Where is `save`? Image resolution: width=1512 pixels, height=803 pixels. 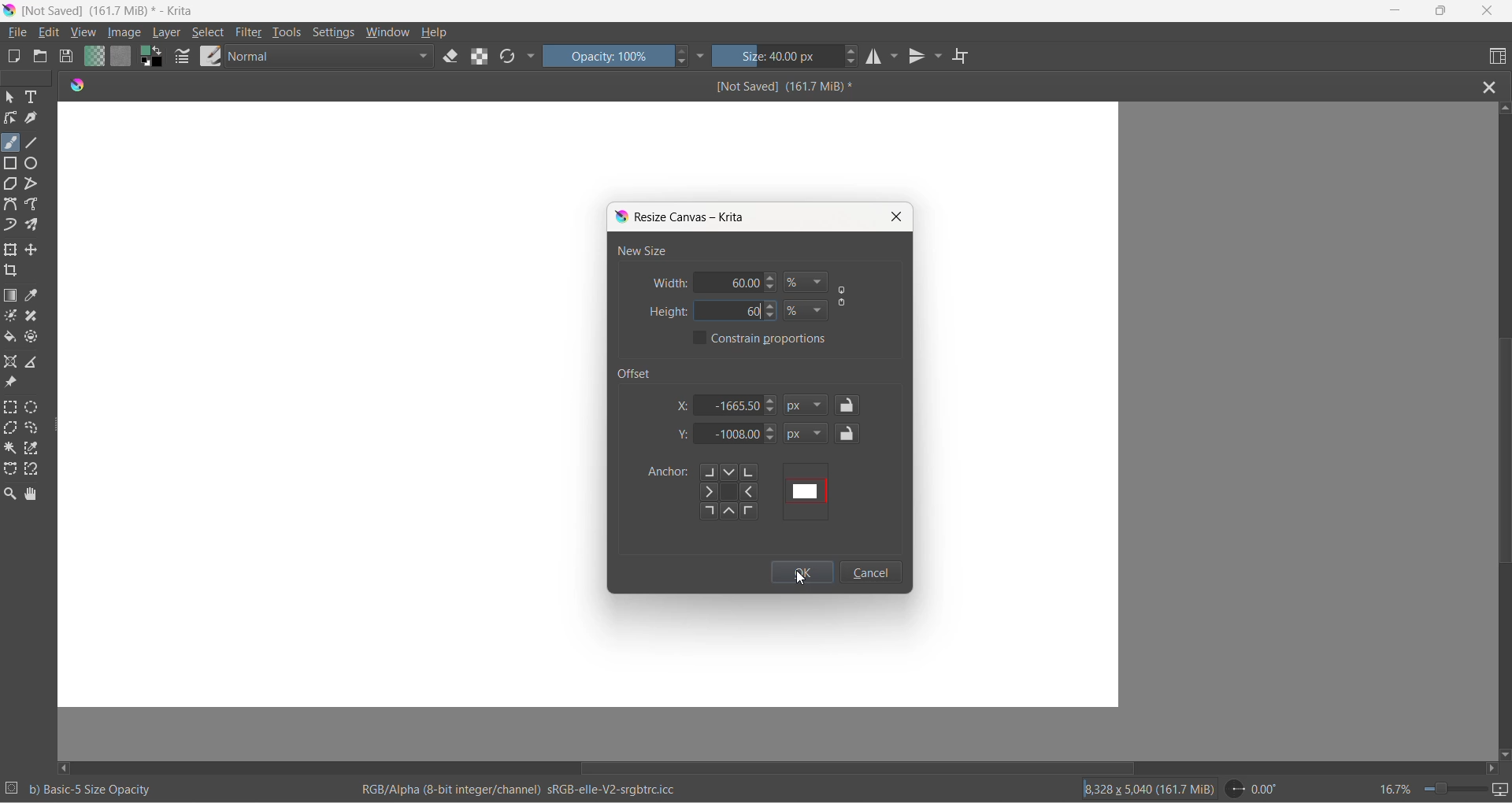
save is located at coordinates (67, 58).